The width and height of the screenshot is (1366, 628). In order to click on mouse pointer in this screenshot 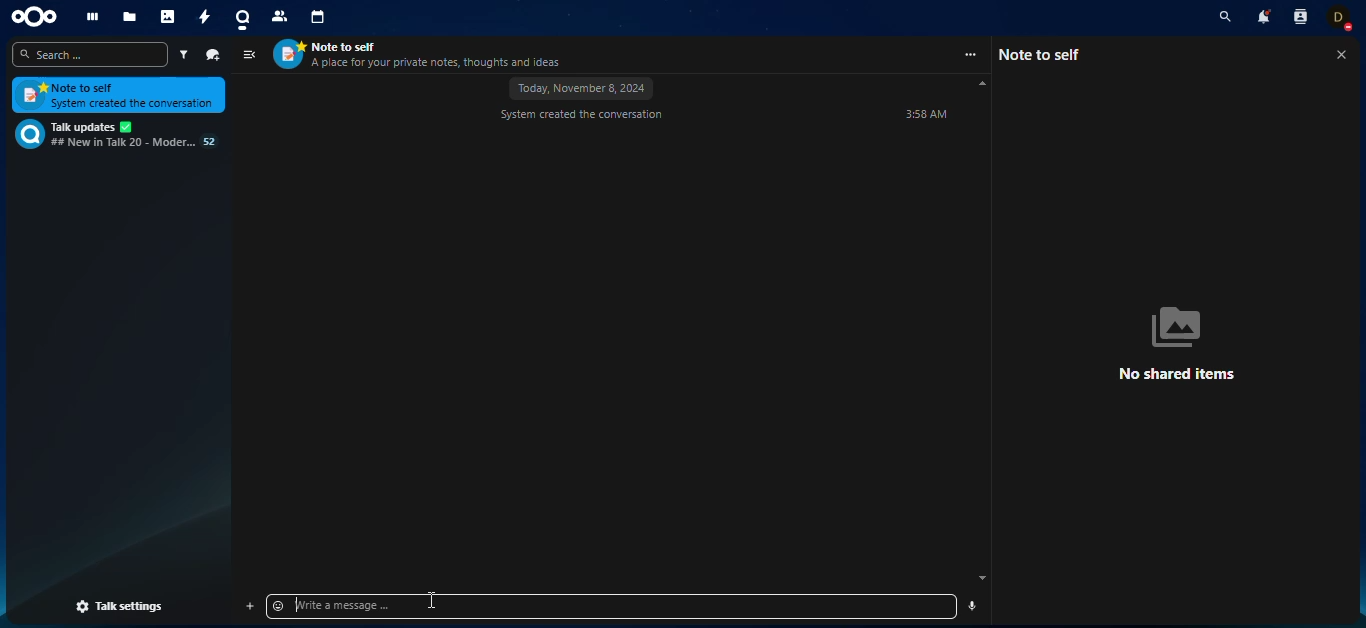, I will do `click(433, 600)`.